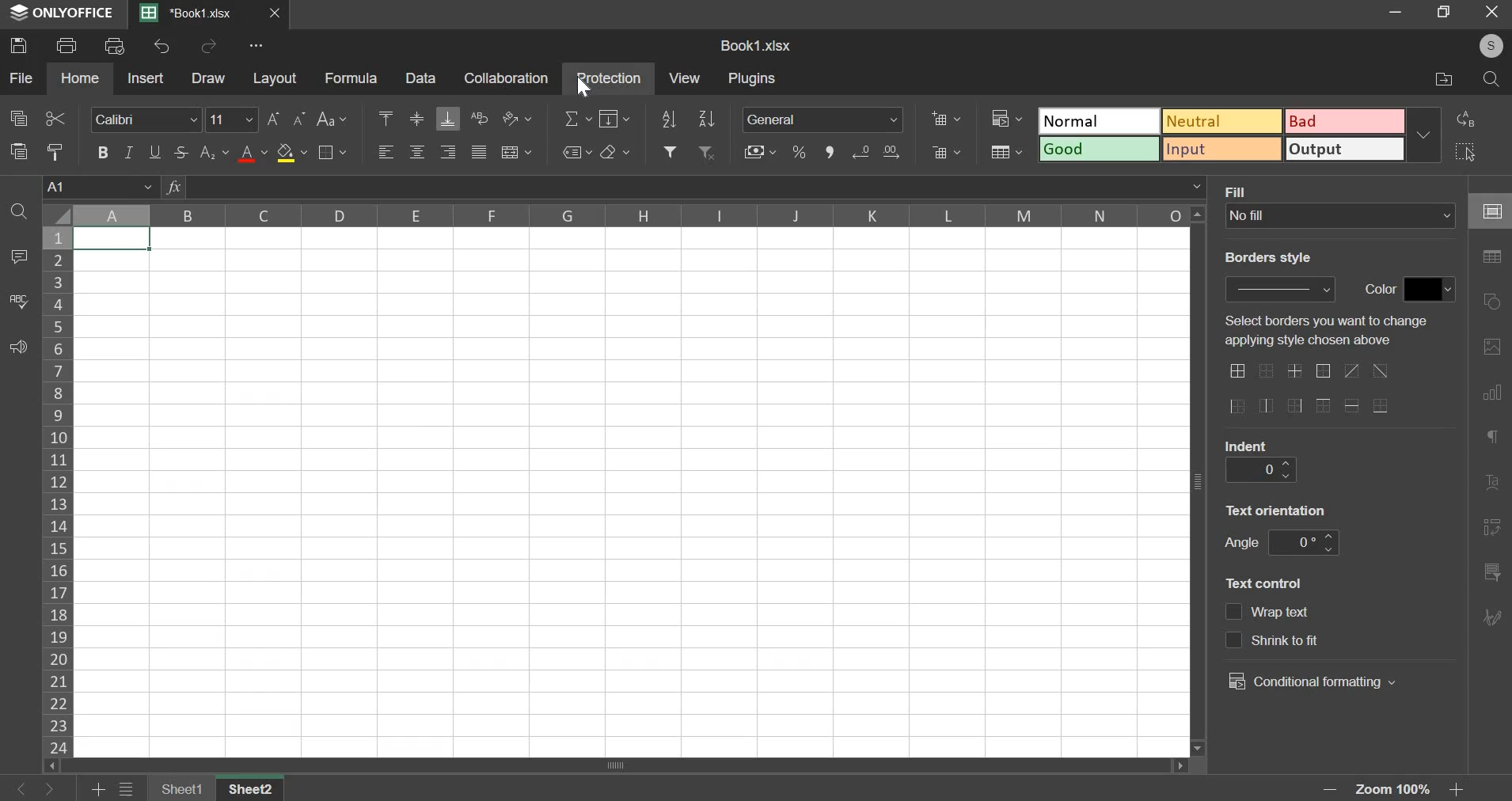 This screenshot has height=801, width=1512. I want to click on color, so click(1377, 290).